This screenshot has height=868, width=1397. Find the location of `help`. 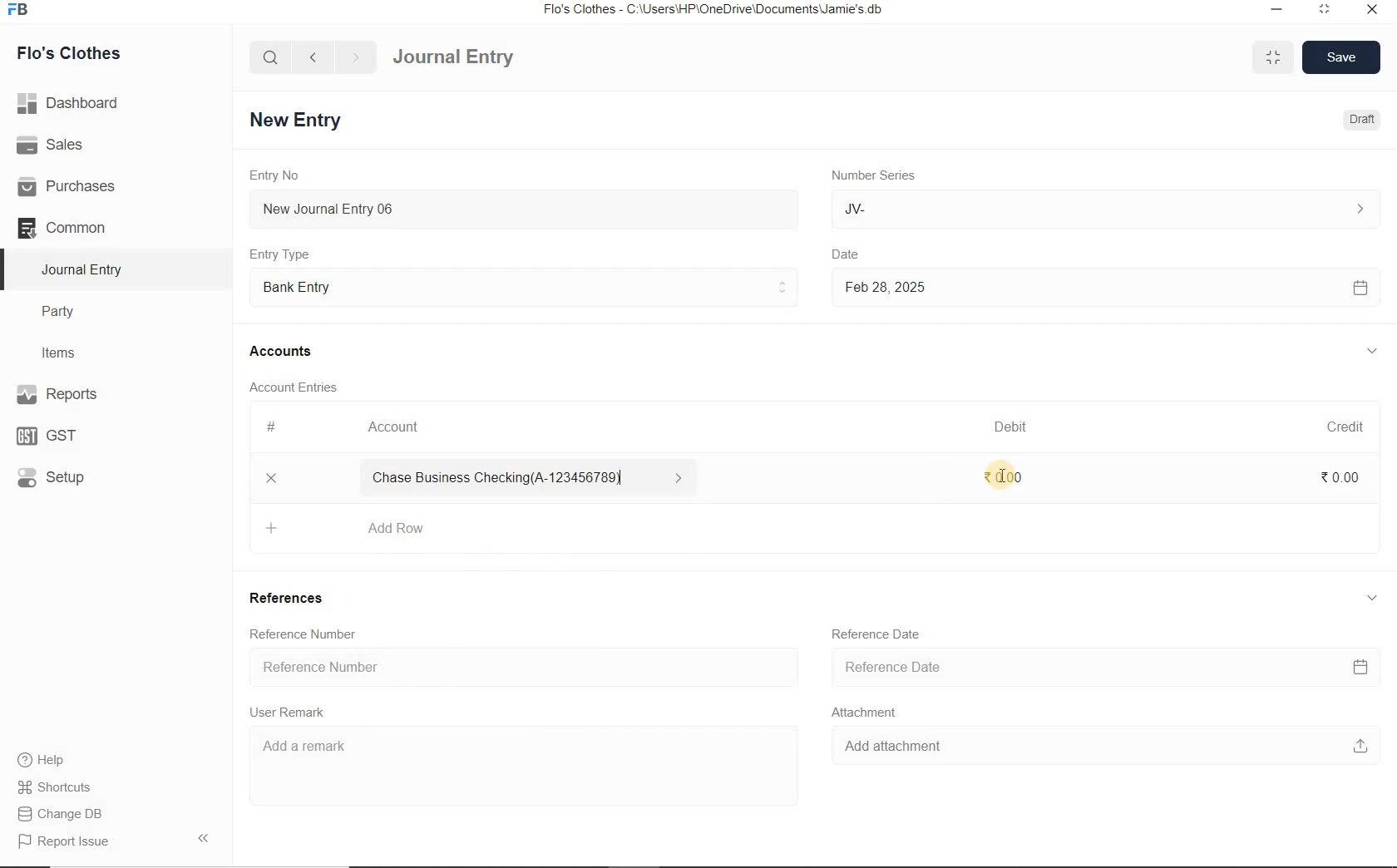

help is located at coordinates (42, 760).